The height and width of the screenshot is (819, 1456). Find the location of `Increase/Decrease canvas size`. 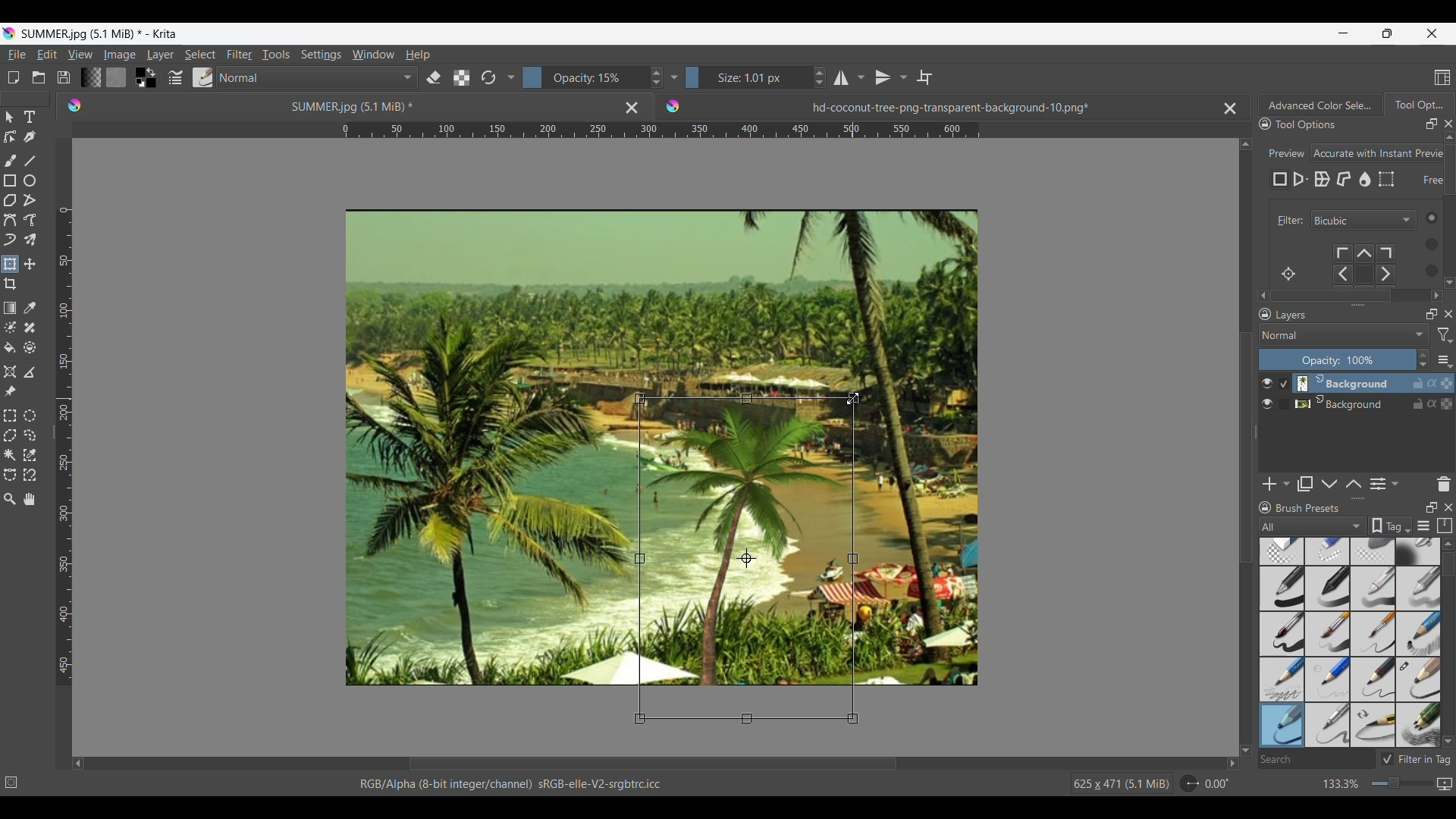

Increase/Decrease canvas size is located at coordinates (1374, 784).